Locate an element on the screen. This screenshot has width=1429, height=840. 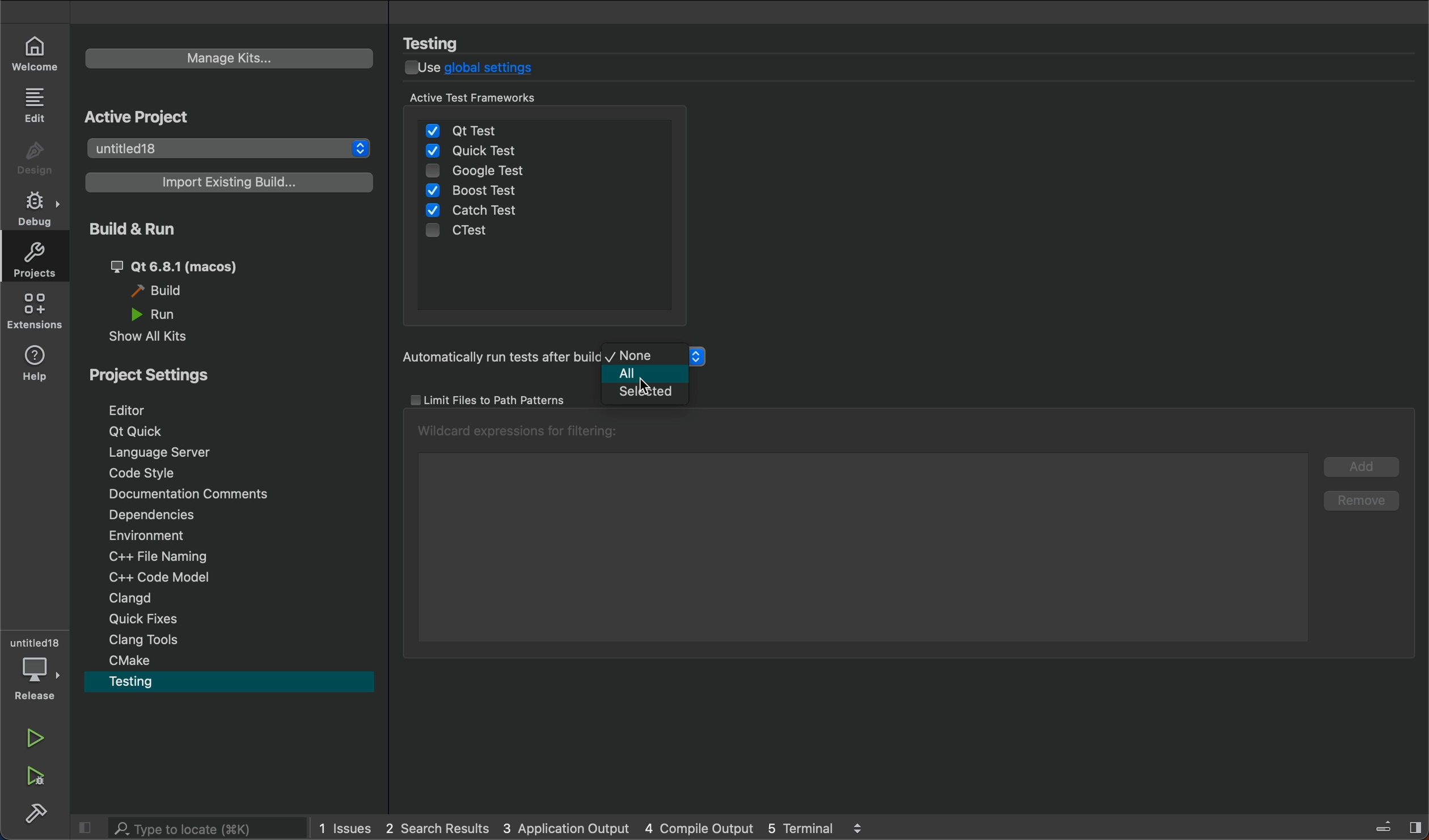
catch test is located at coordinates (473, 214).